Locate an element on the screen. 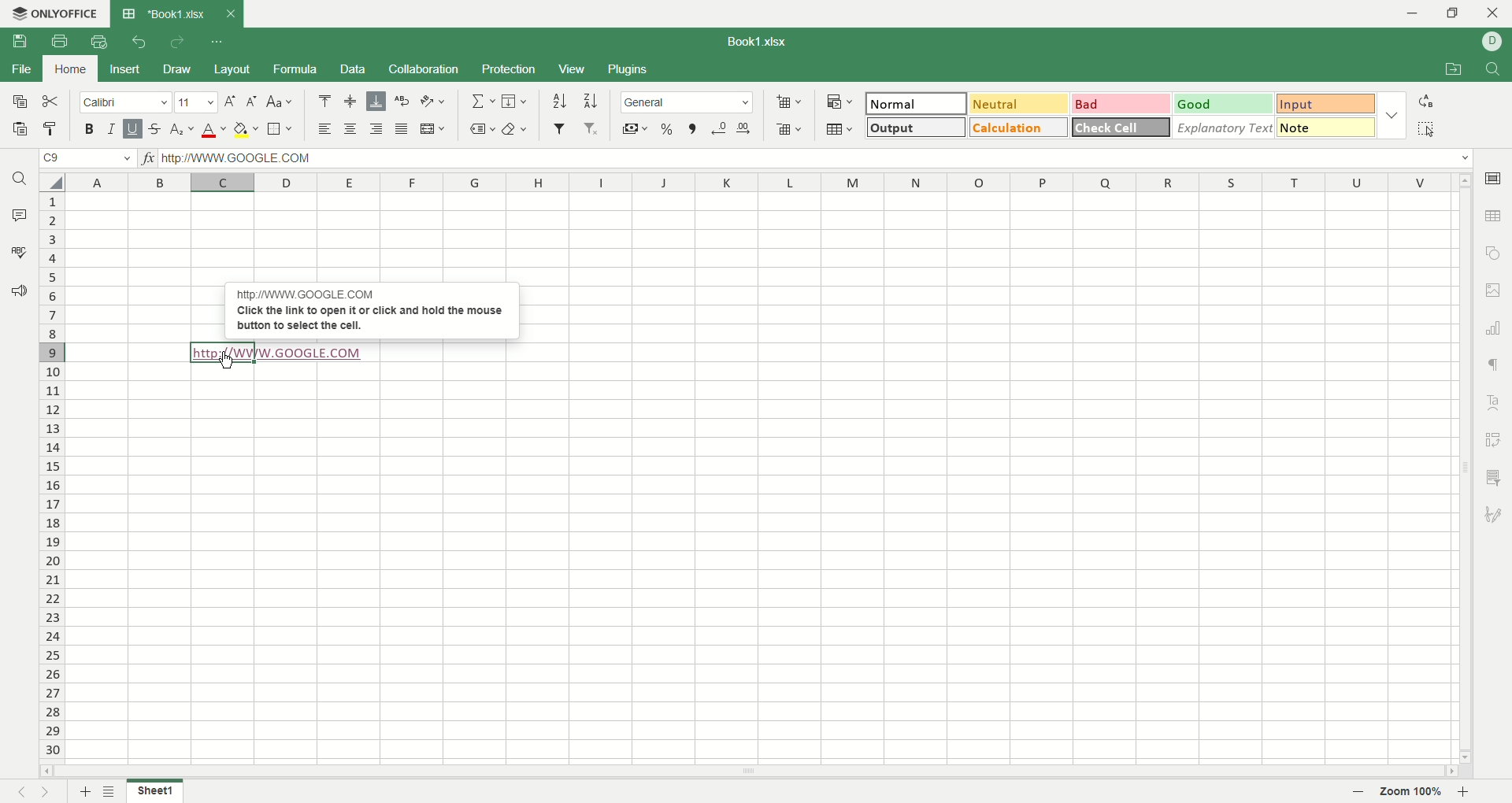 The image size is (1512, 803). sheet tab is located at coordinates (161, 13).